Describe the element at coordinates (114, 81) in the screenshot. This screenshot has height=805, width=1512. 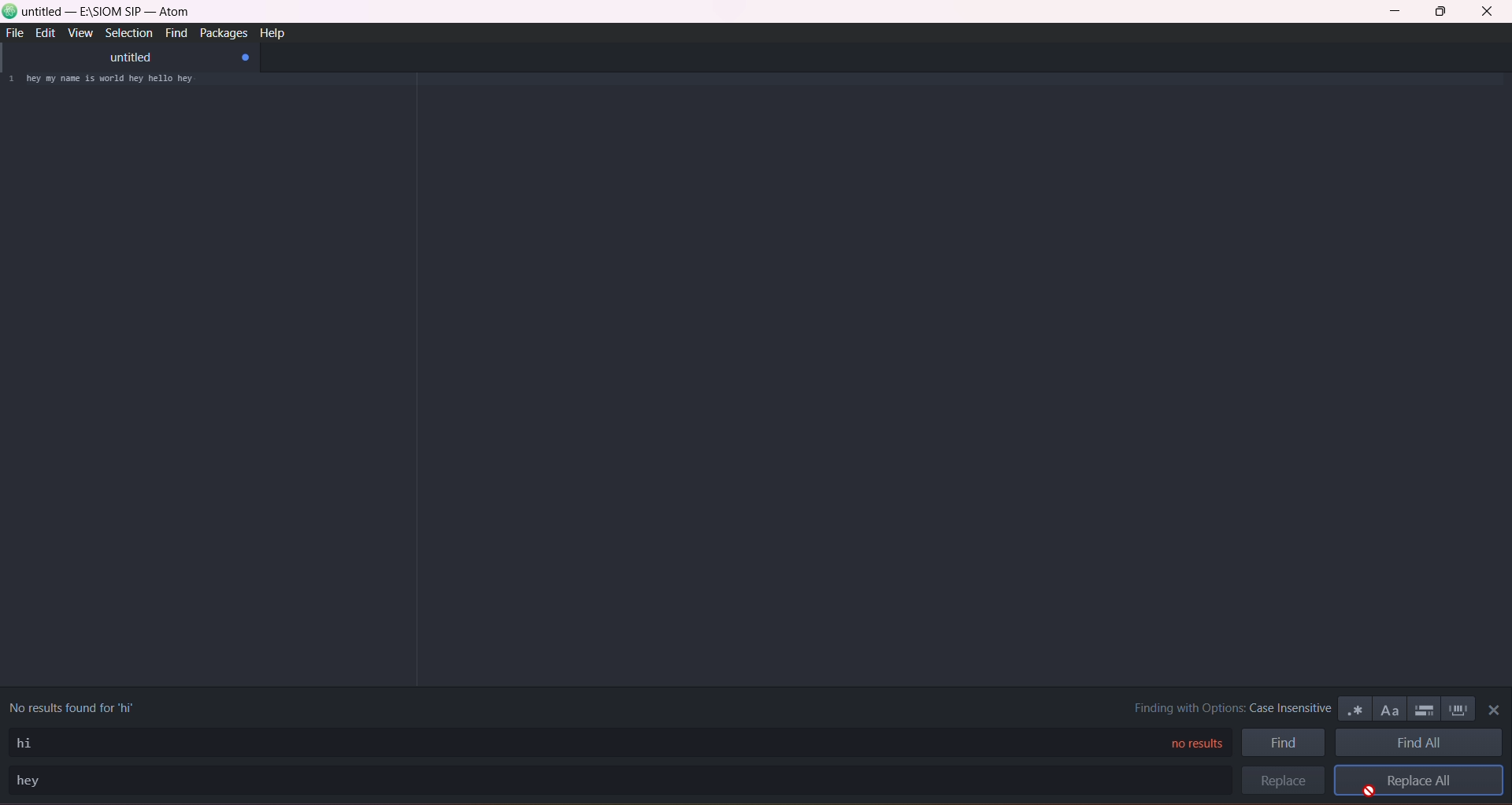
I see `hi my name is world hi hello hi` at that location.